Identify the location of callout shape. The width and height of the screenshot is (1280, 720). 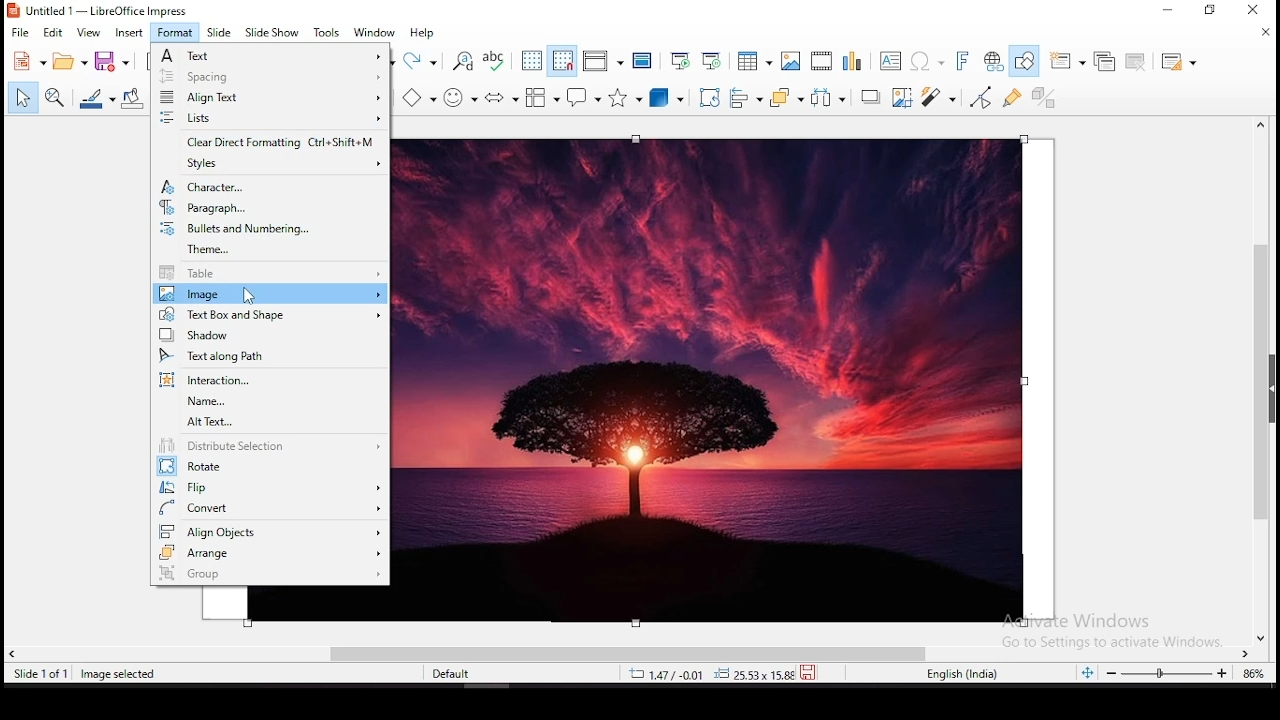
(584, 101).